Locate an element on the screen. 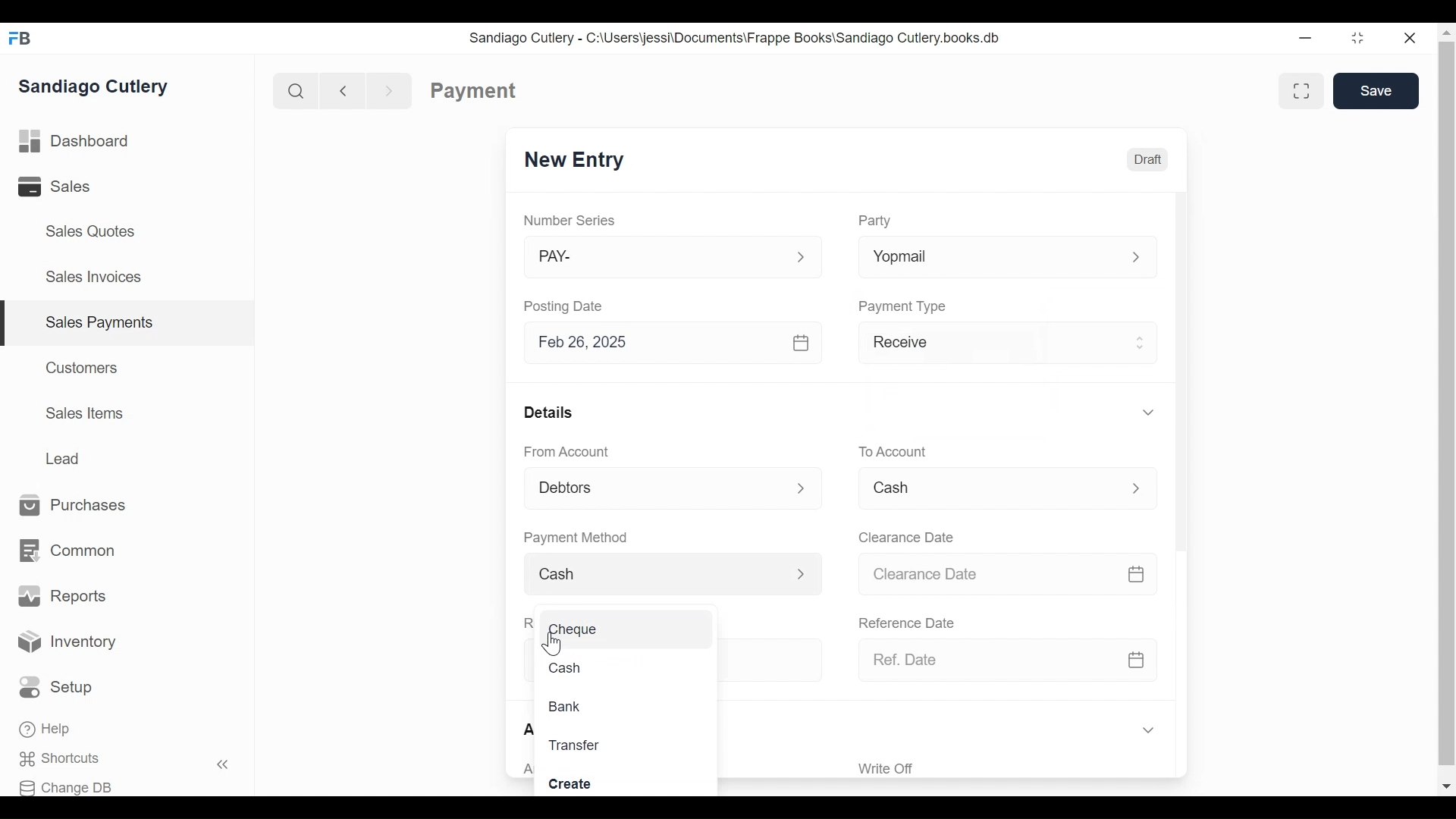 The image size is (1456, 819). Payment Type is located at coordinates (905, 306).